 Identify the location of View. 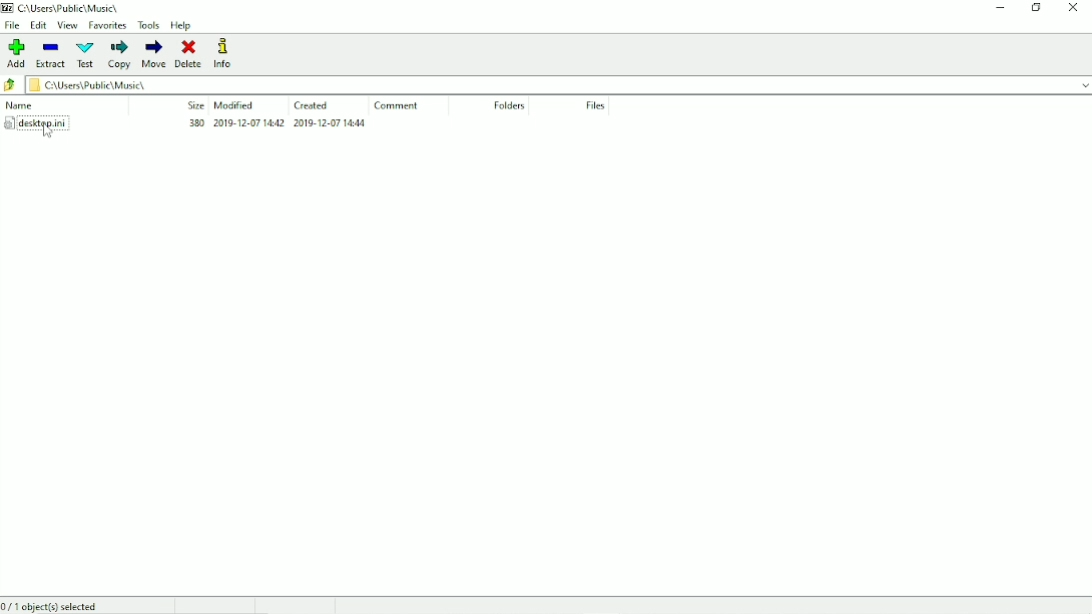
(68, 25).